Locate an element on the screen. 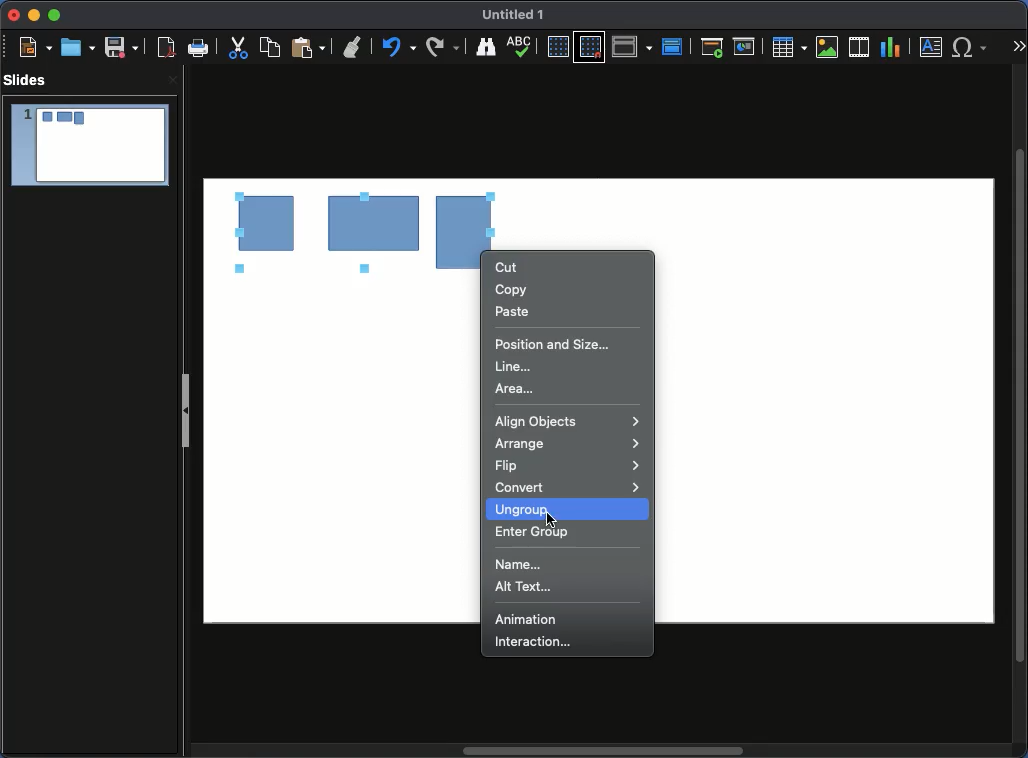 The height and width of the screenshot is (758, 1028). New is located at coordinates (30, 47).